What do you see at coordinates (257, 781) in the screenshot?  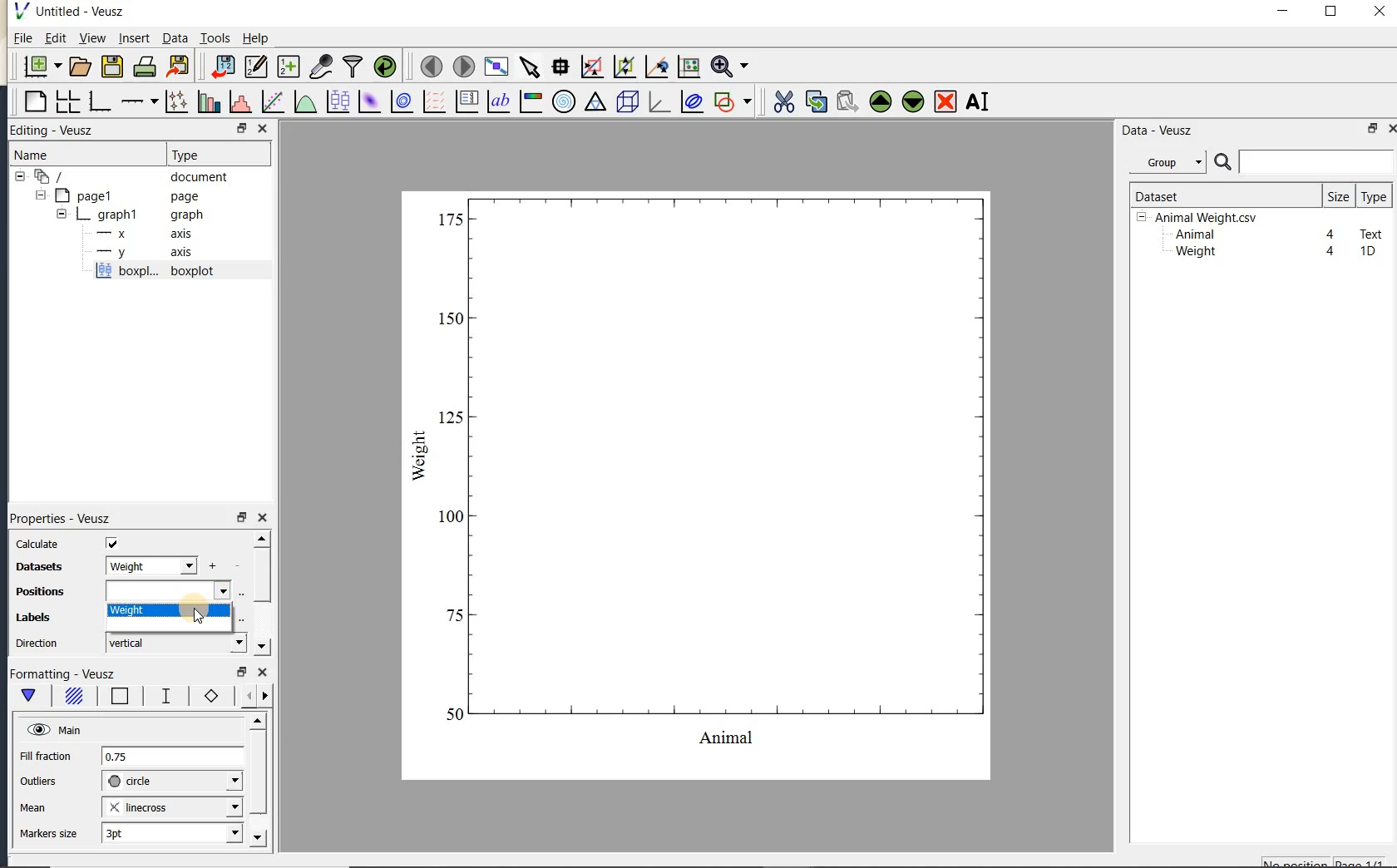 I see `scrollbar` at bounding box center [257, 781].